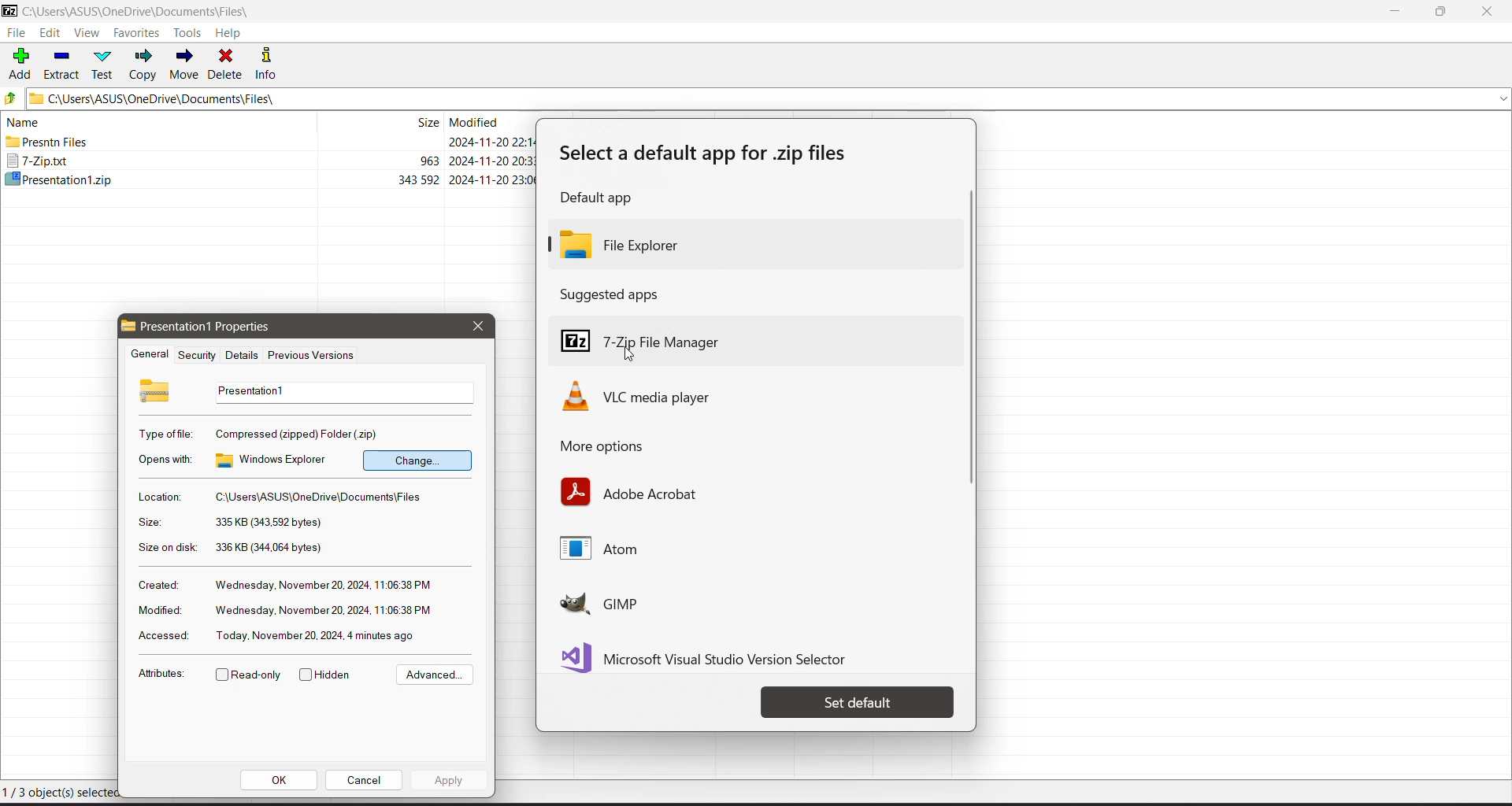  Describe the element at coordinates (317, 635) in the screenshot. I see `Accessed Day, Date, Year and time` at that location.